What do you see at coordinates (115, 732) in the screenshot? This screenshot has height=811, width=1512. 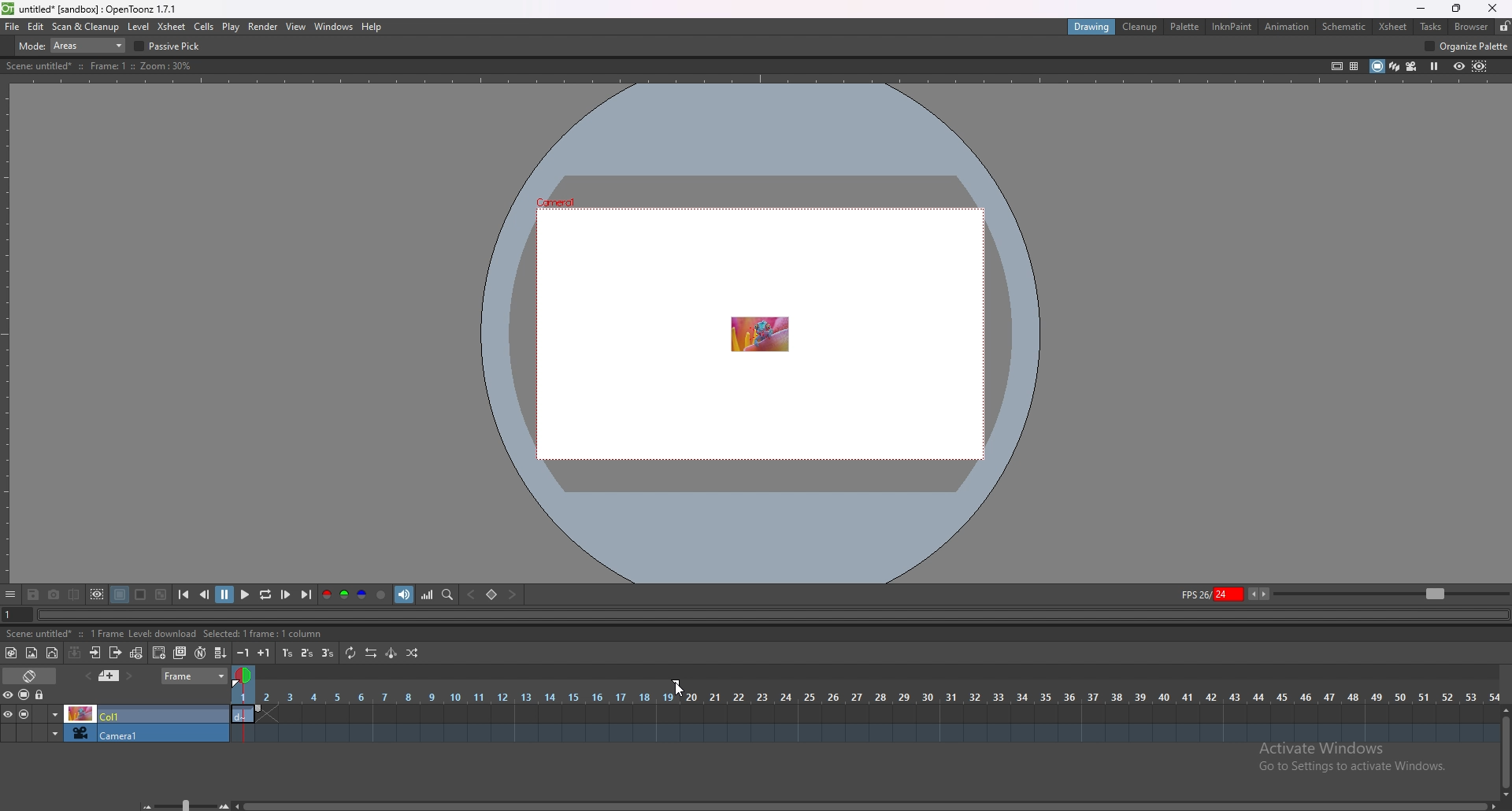 I see `camera` at bounding box center [115, 732].